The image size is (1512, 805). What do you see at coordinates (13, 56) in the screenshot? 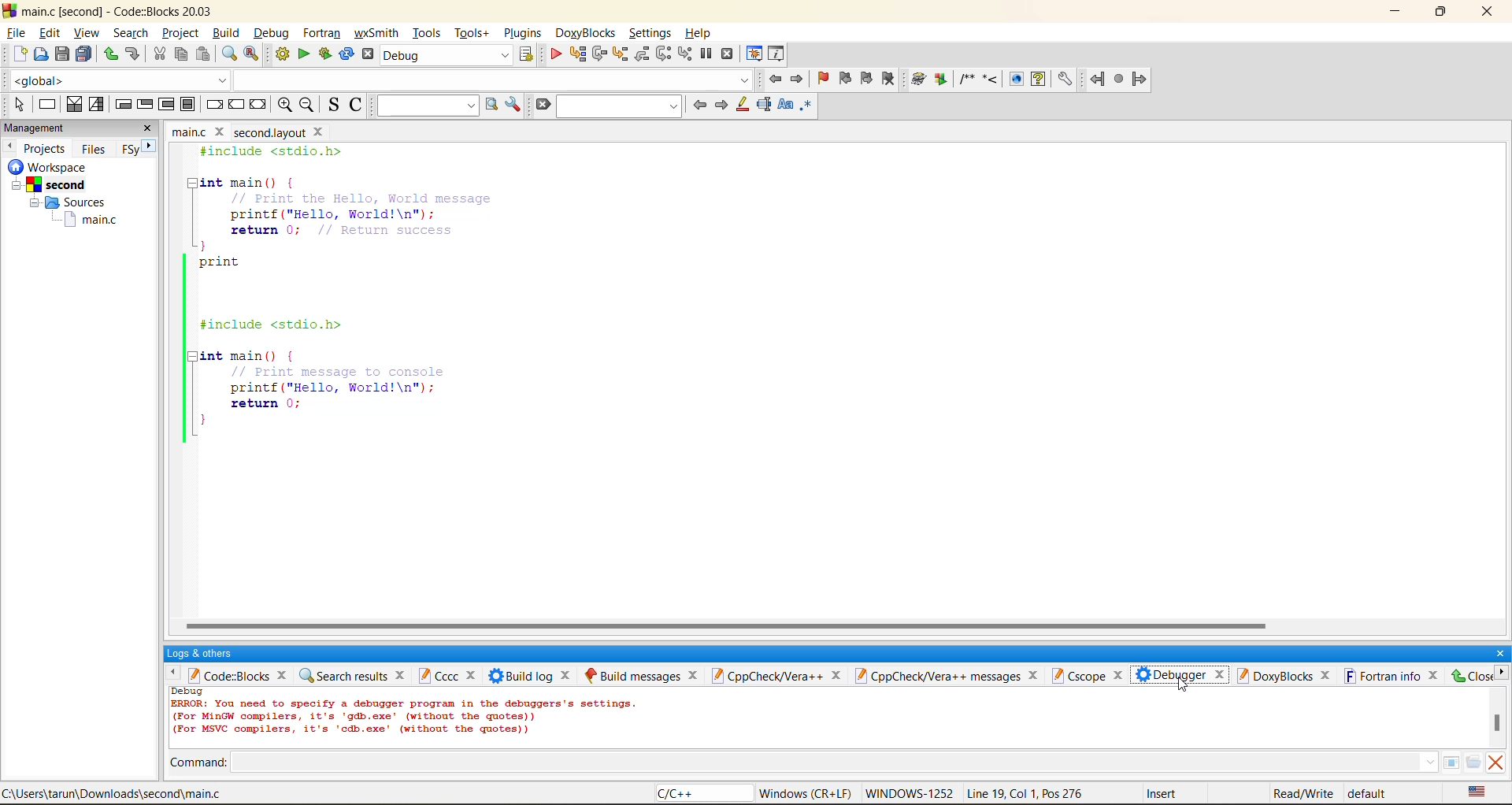
I see `new` at bounding box center [13, 56].